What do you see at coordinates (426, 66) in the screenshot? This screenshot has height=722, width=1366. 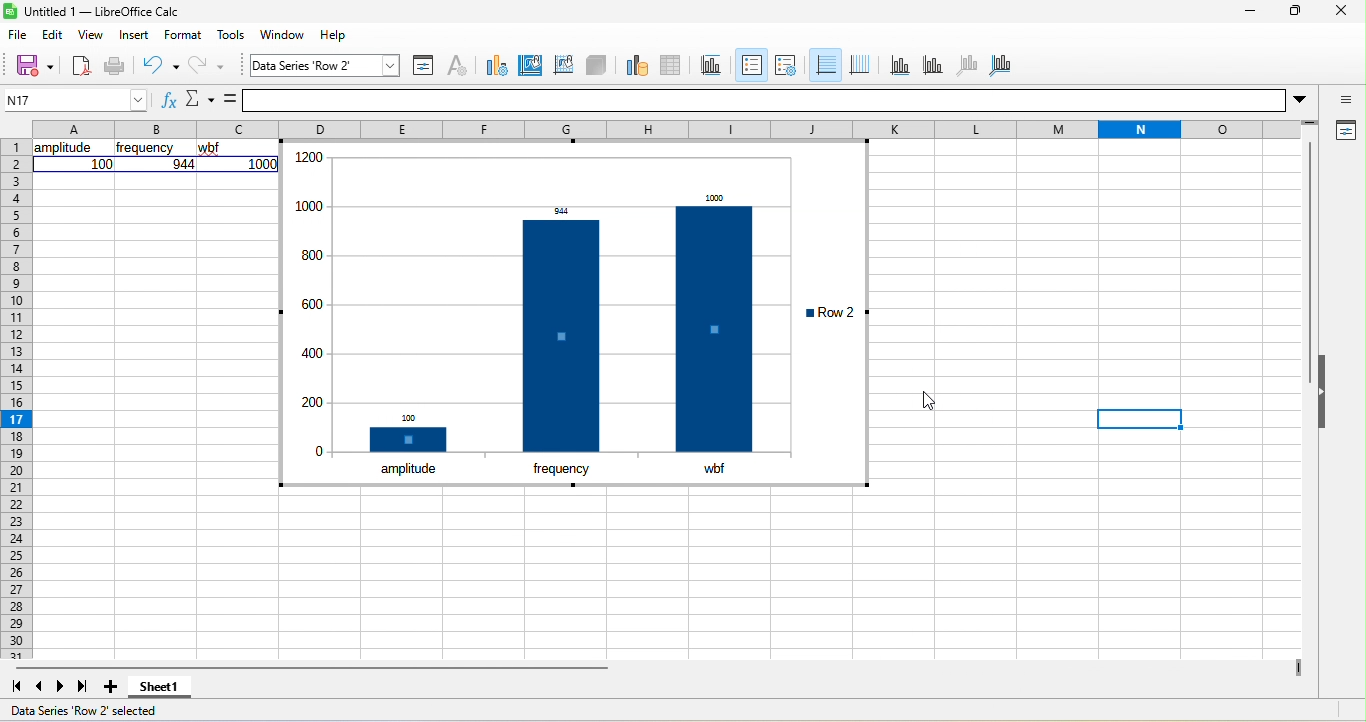 I see `format selection` at bounding box center [426, 66].